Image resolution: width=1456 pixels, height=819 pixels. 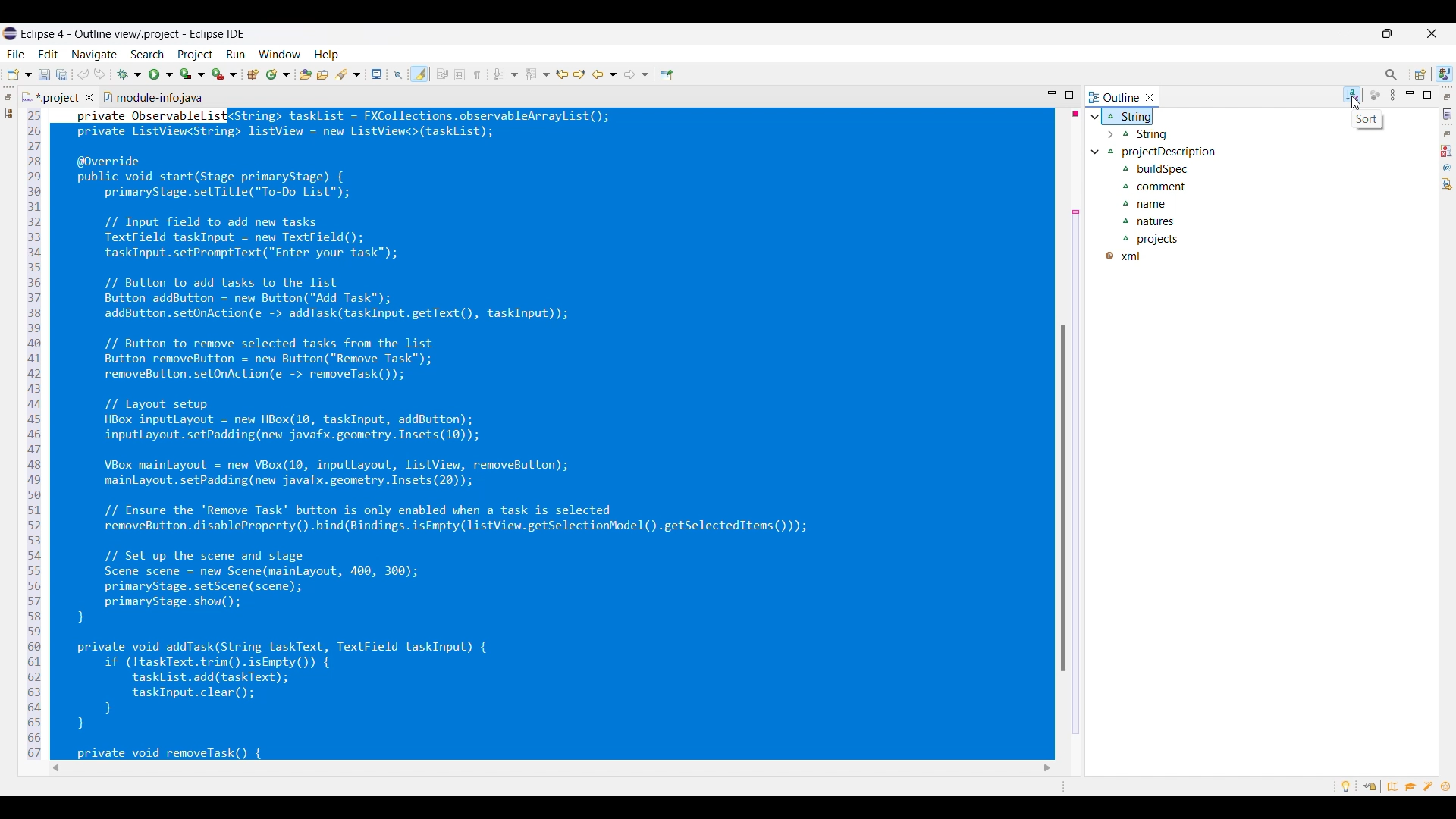 What do you see at coordinates (1352, 95) in the screenshot?
I see `Sort` at bounding box center [1352, 95].